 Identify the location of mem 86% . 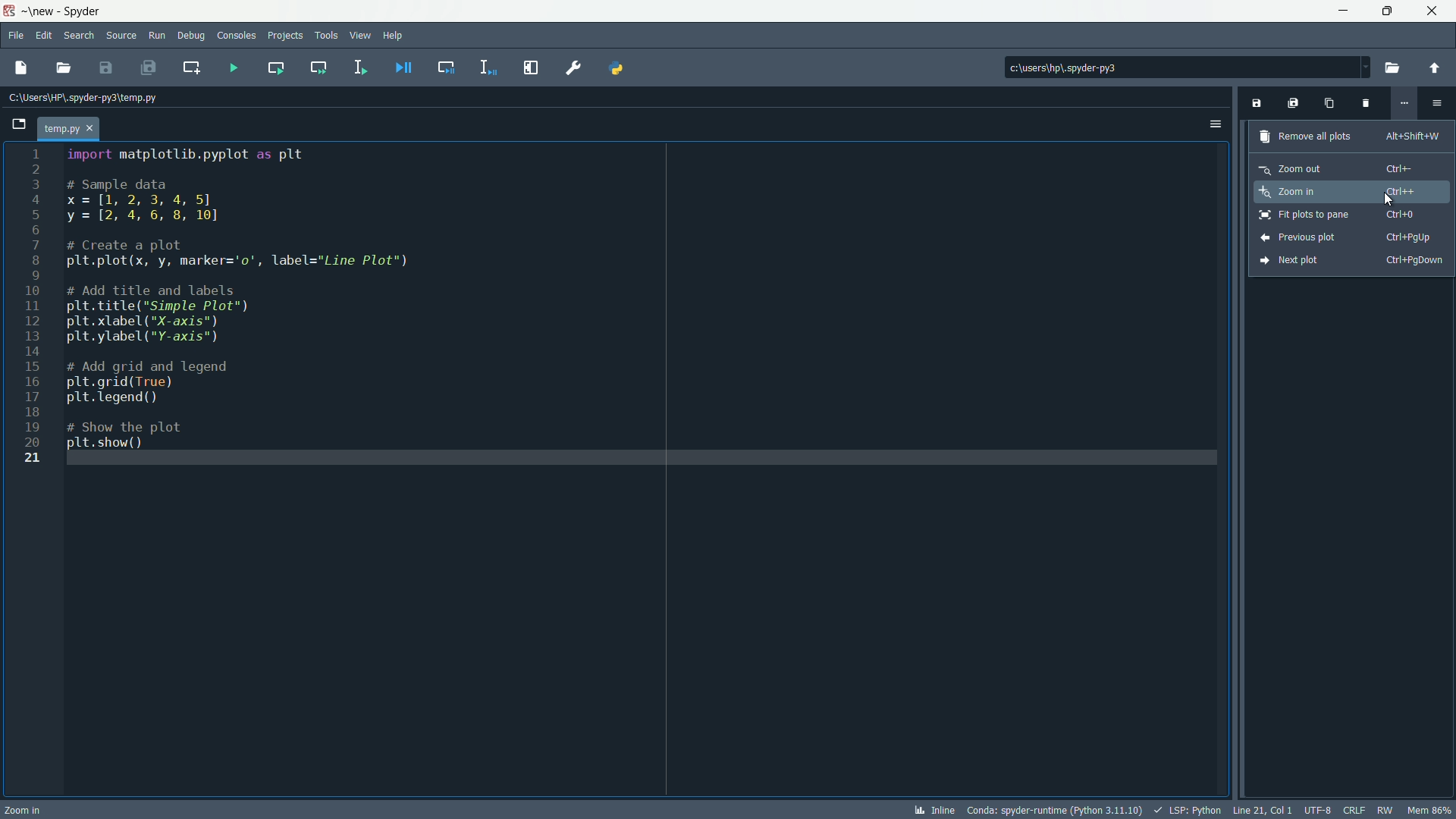
(1429, 809).